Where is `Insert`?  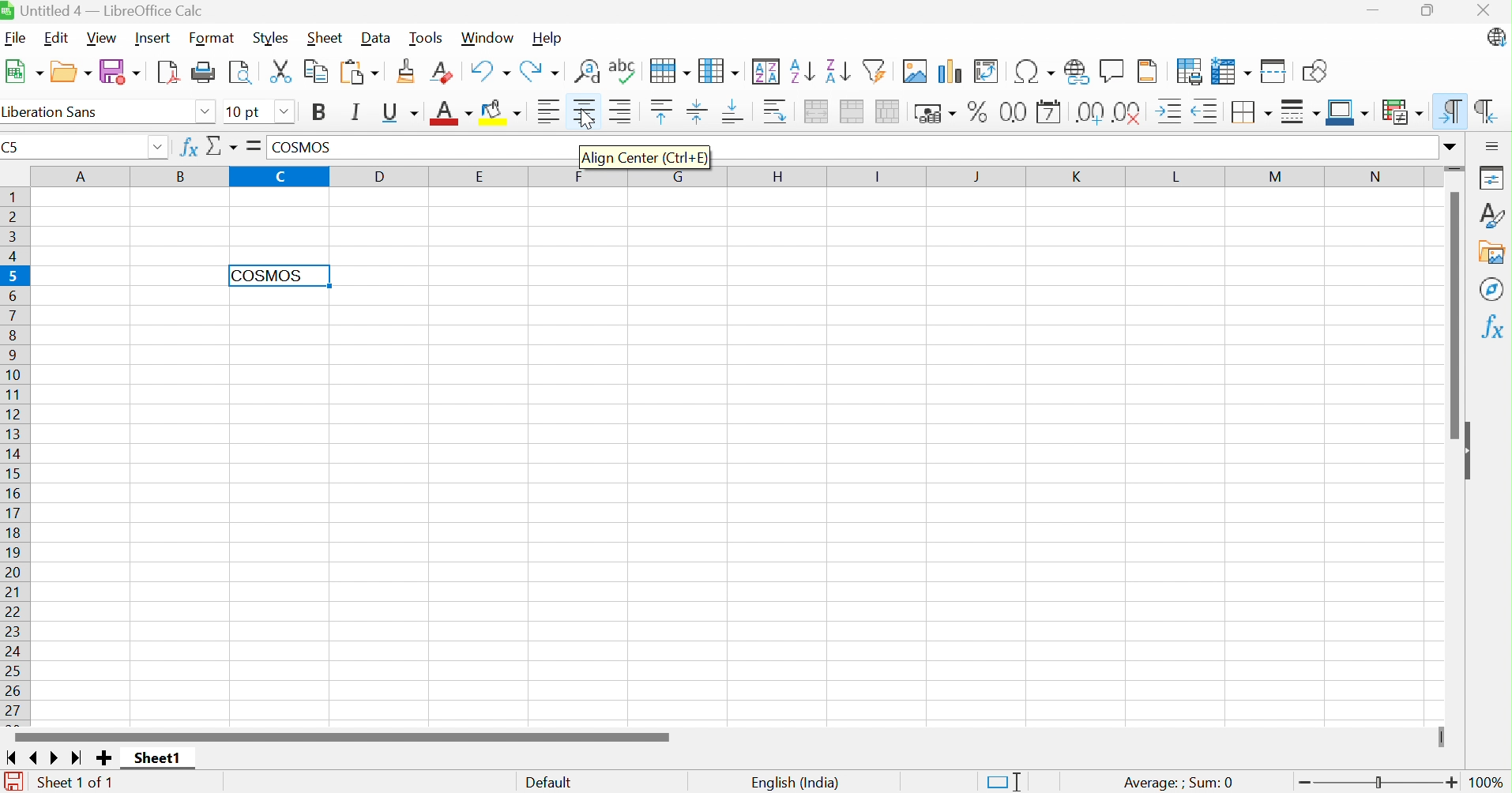
Insert is located at coordinates (152, 37).